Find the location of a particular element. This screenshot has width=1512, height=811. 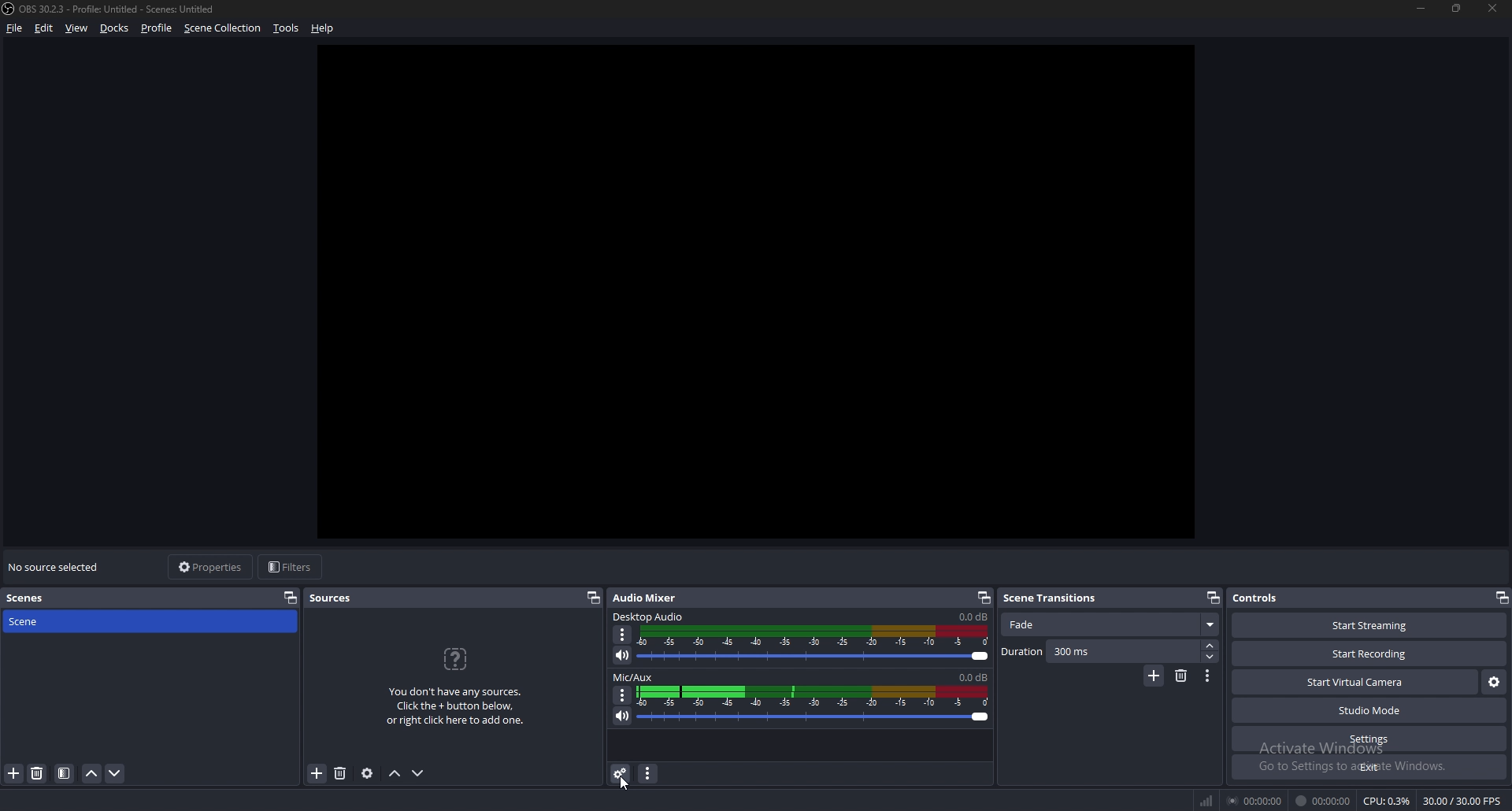

You don't have any sources.
Click the + button below,
or right click here to add one. is located at coordinates (461, 687).